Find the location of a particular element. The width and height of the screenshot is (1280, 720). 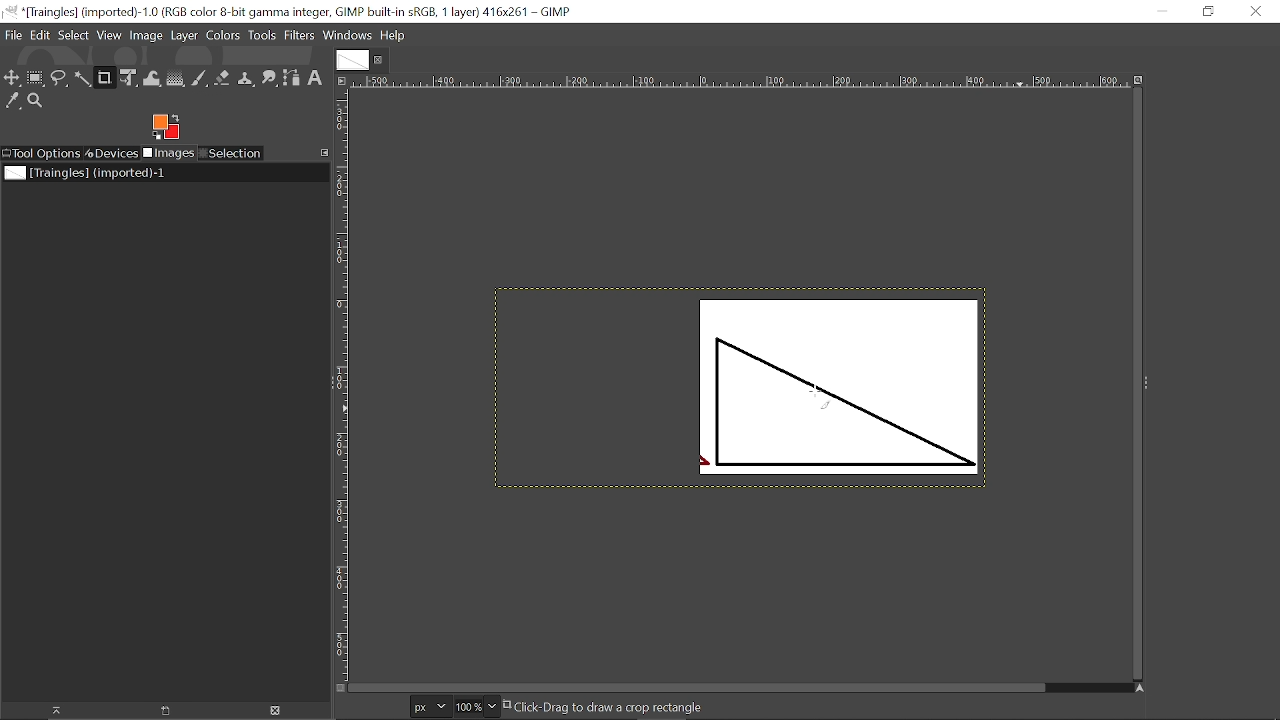

Zoom image when window size changes is located at coordinates (1140, 77).